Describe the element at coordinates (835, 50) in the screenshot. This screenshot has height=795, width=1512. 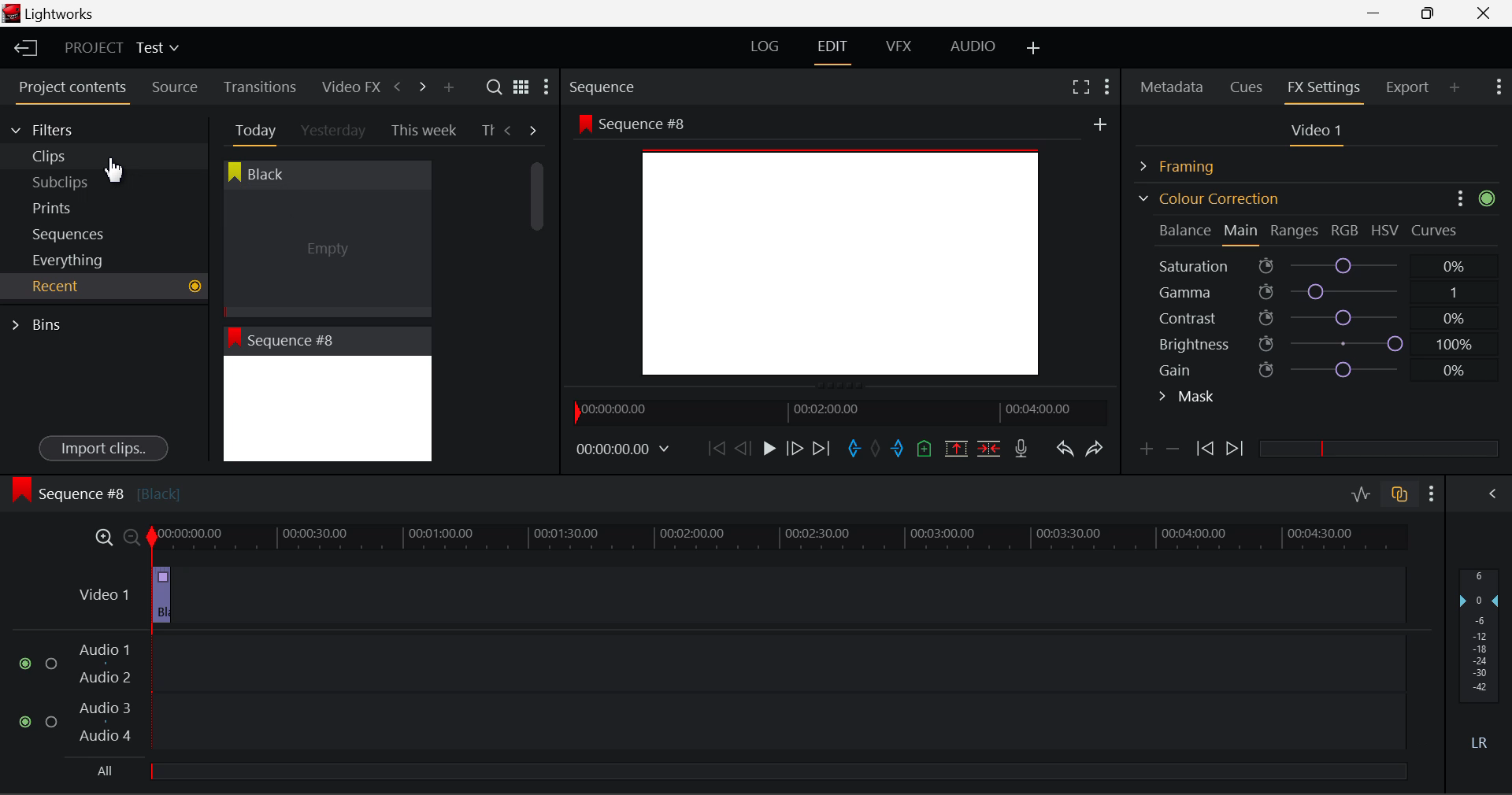
I see `EDIT Layout` at that location.